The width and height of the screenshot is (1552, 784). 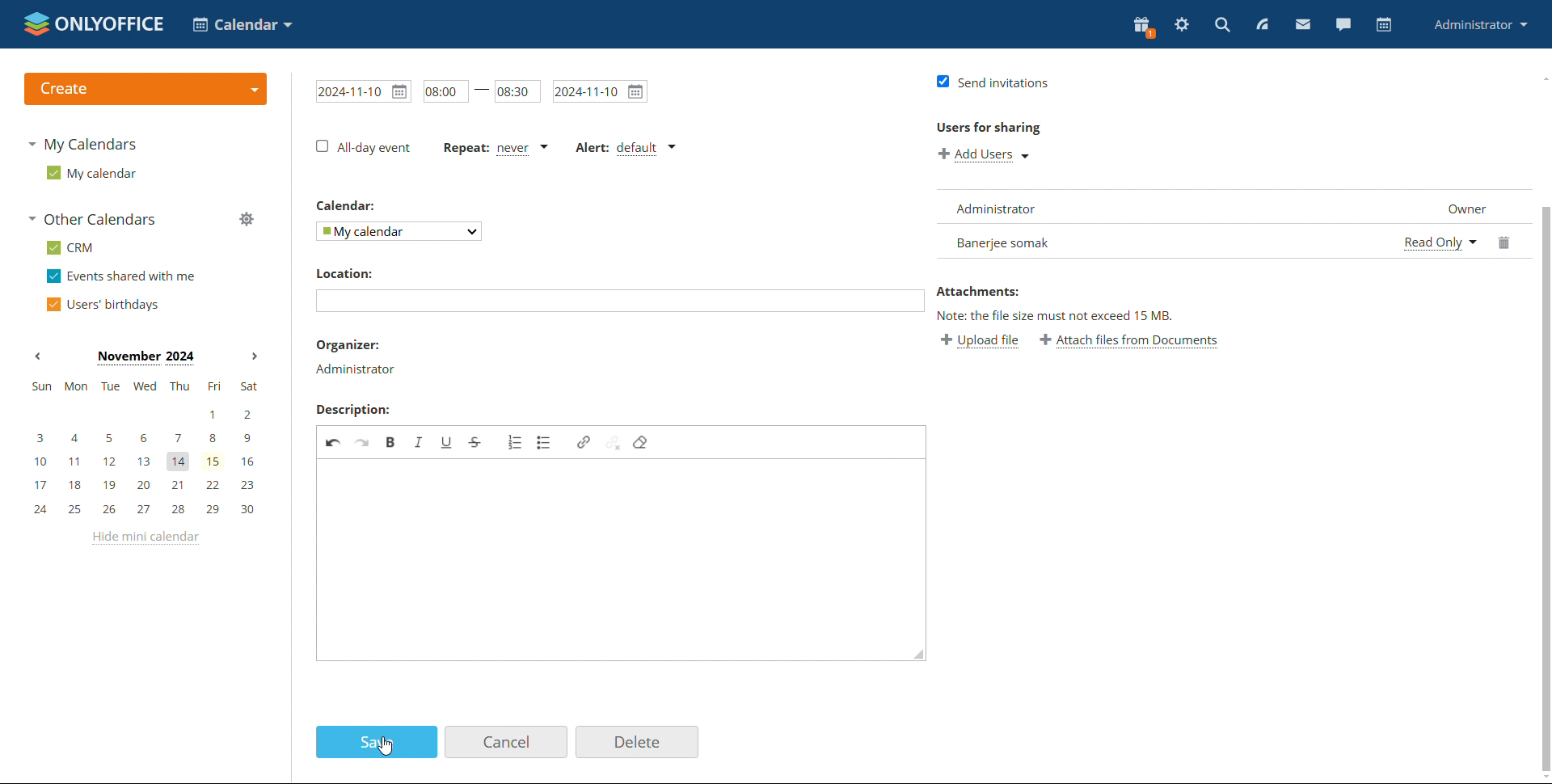 What do you see at coordinates (70, 247) in the screenshot?
I see `crm` at bounding box center [70, 247].